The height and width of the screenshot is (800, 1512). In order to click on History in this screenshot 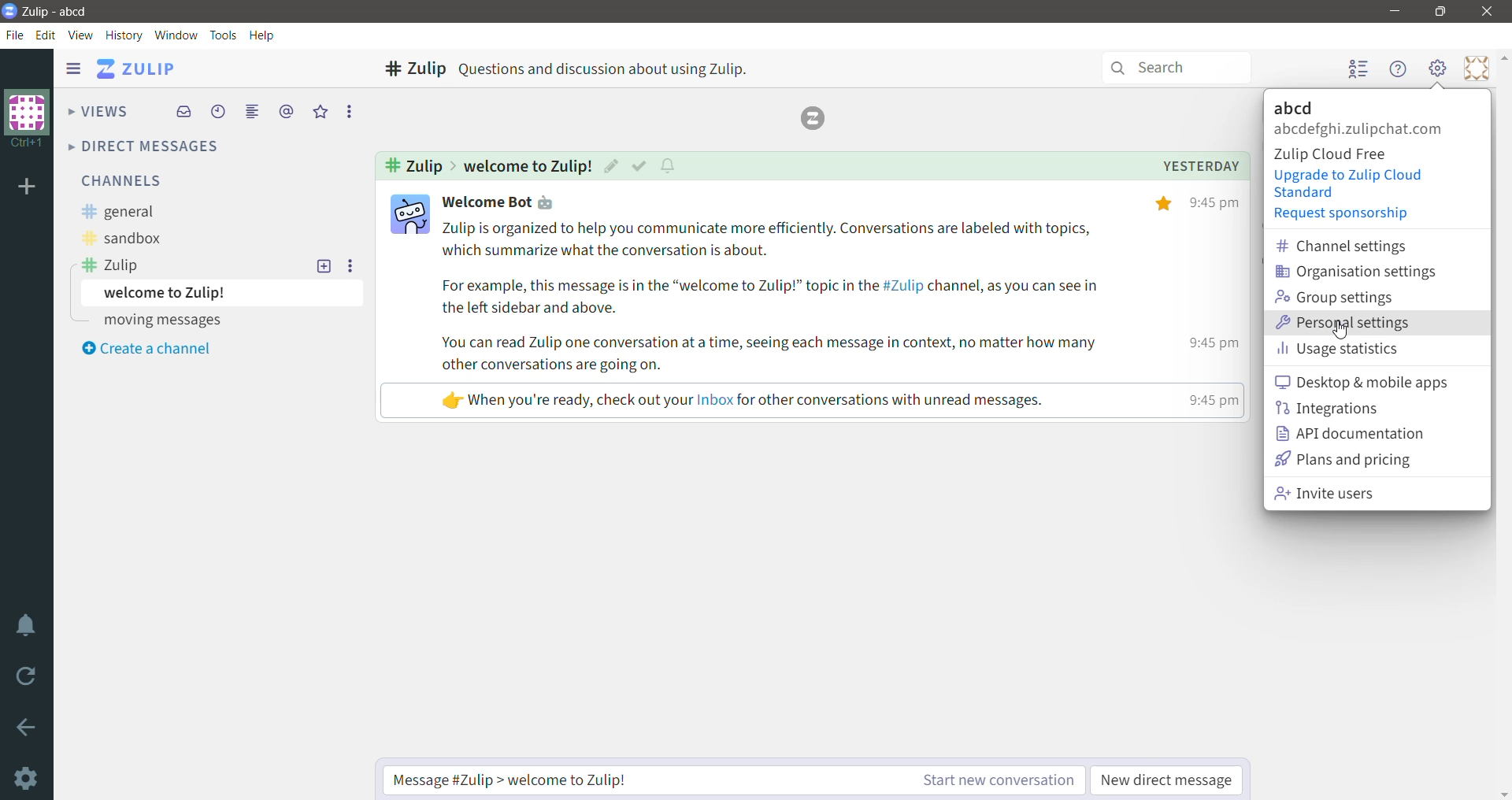, I will do `click(124, 35)`.